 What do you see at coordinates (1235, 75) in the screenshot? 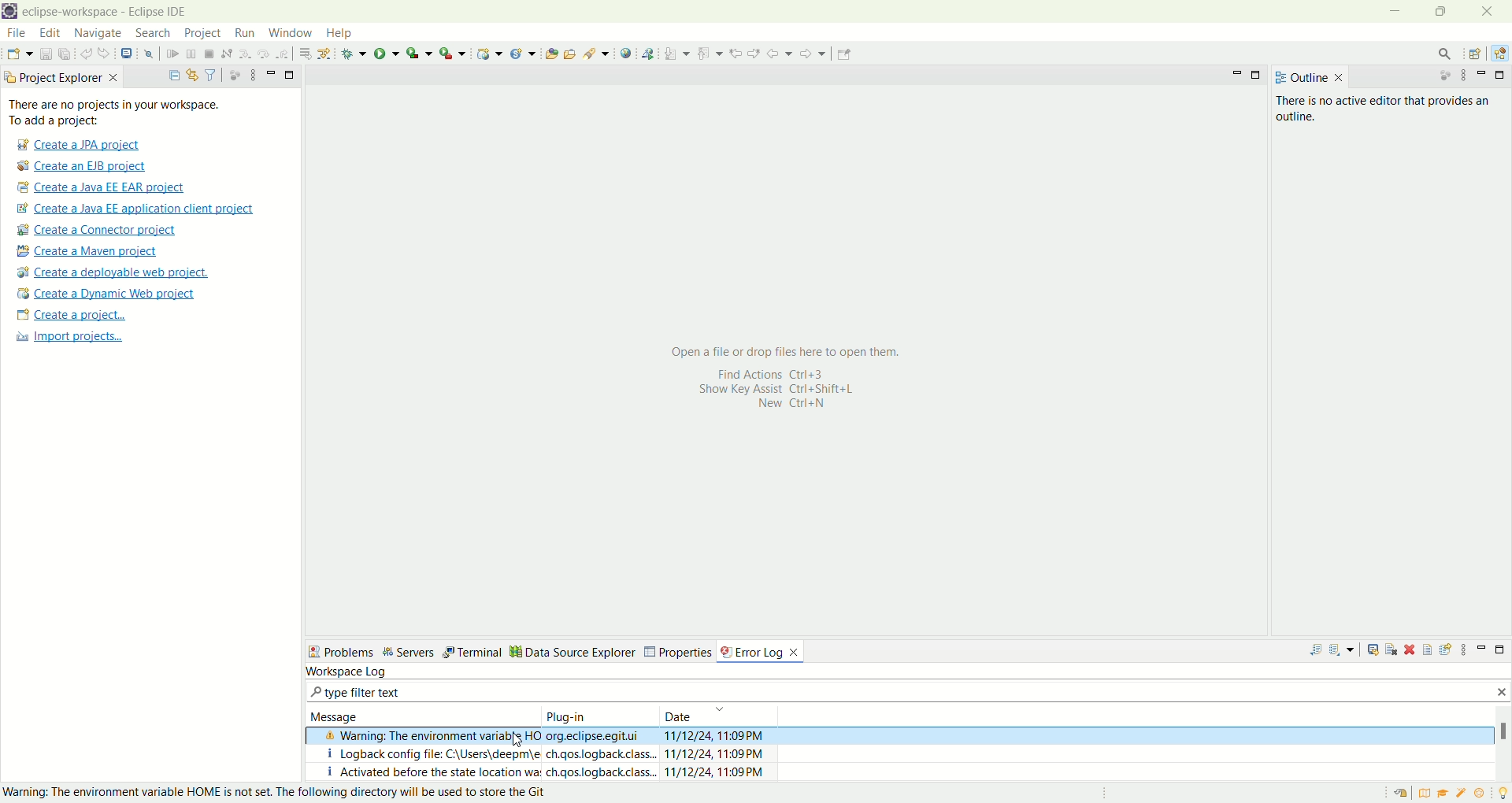
I see `minimize` at bounding box center [1235, 75].